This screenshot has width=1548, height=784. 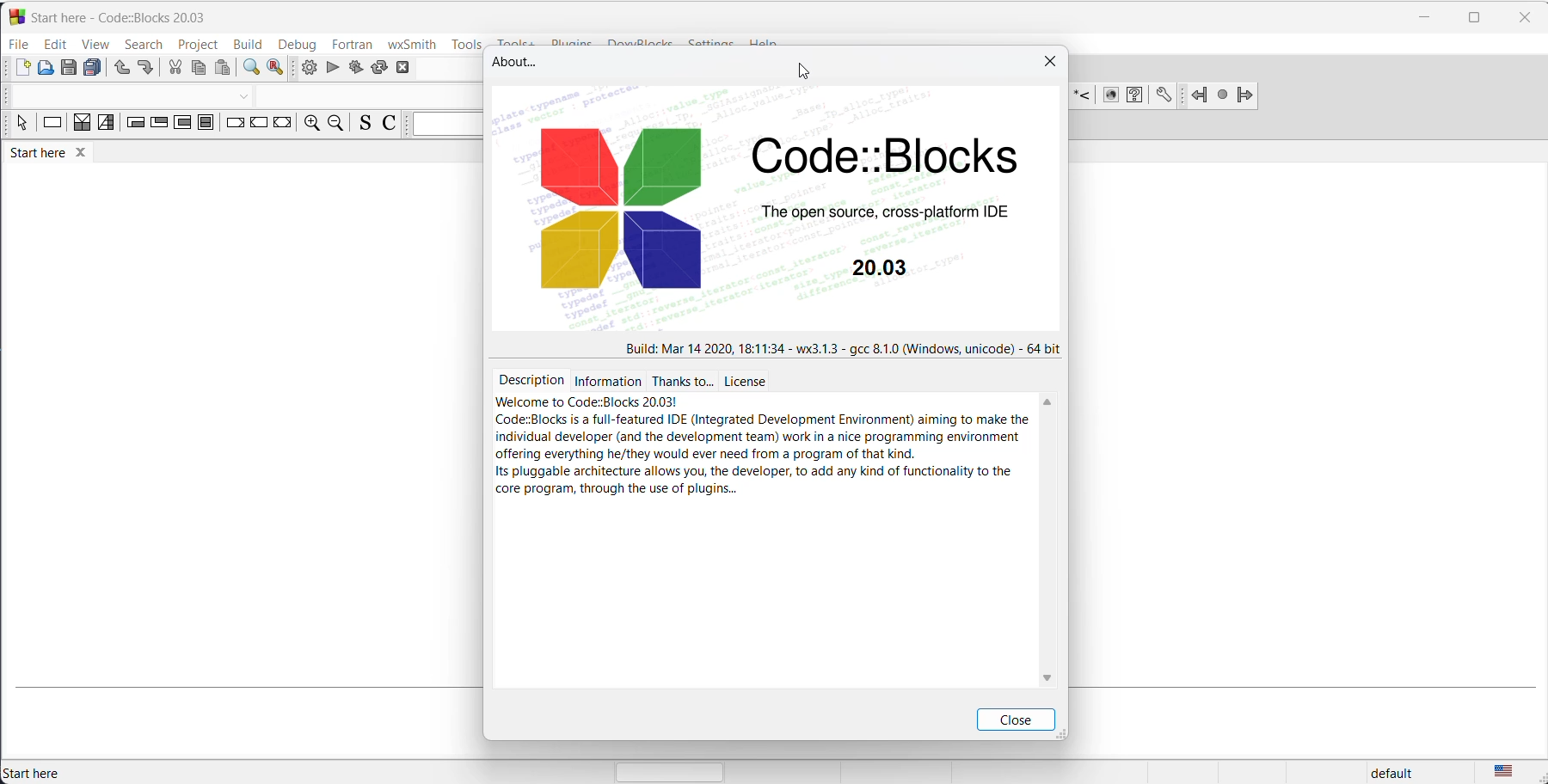 What do you see at coordinates (148, 45) in the screenshot?
I see `search` at bounding box center [148, 45].